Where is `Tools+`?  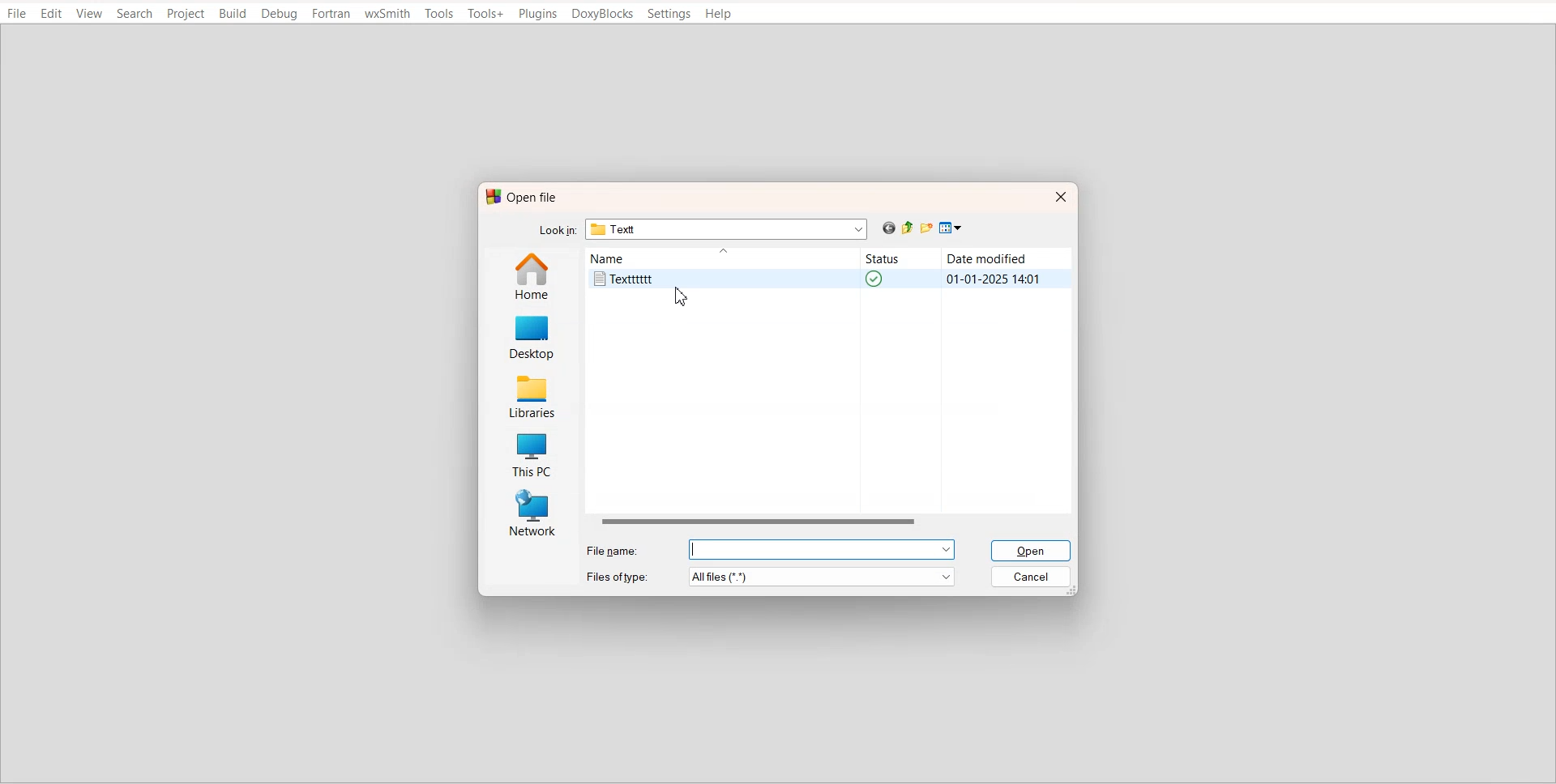 Tools+ is located at coordinates (486, 13).